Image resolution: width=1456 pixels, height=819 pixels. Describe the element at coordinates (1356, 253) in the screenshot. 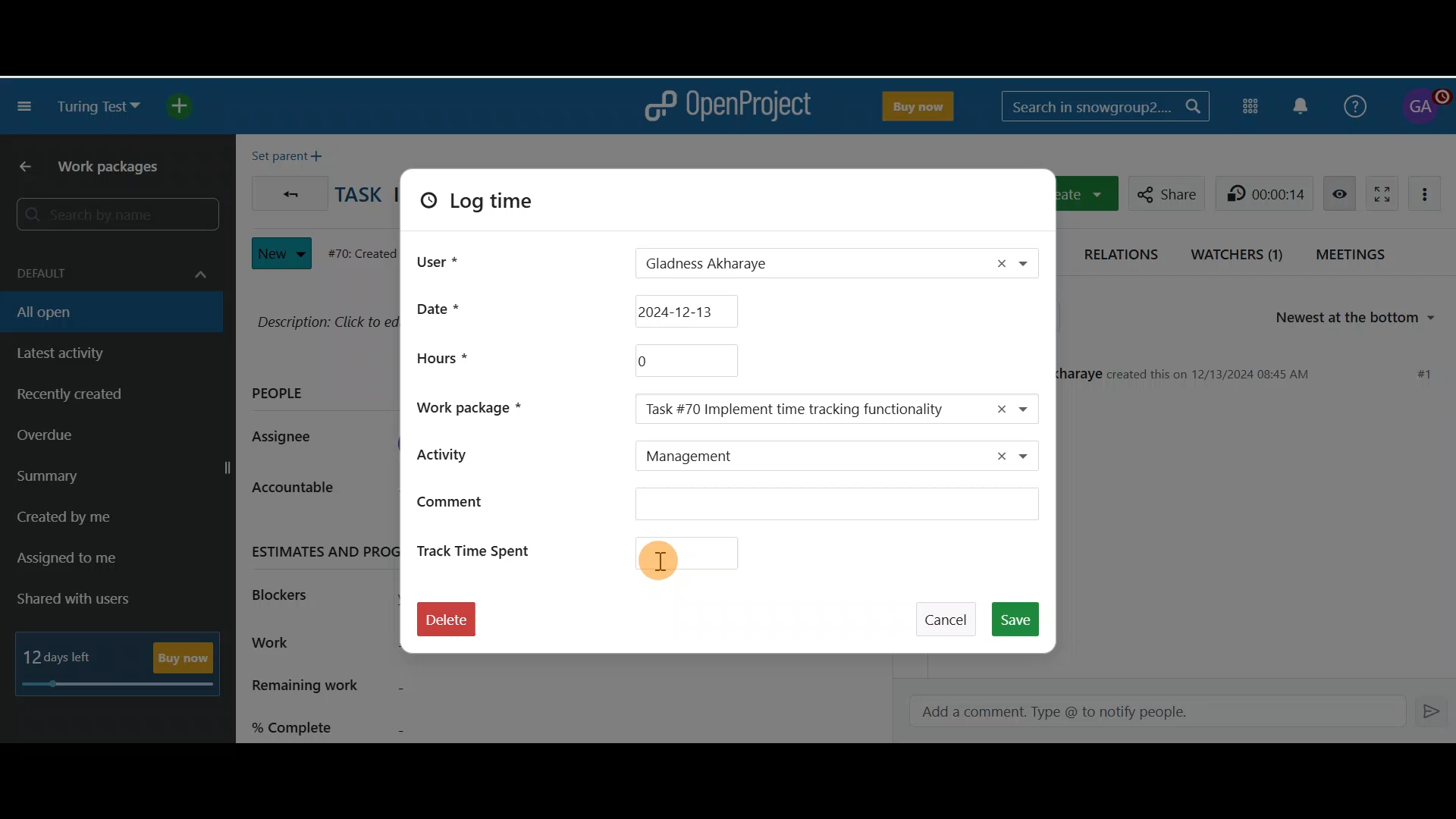

I see `Meetings` at that location.